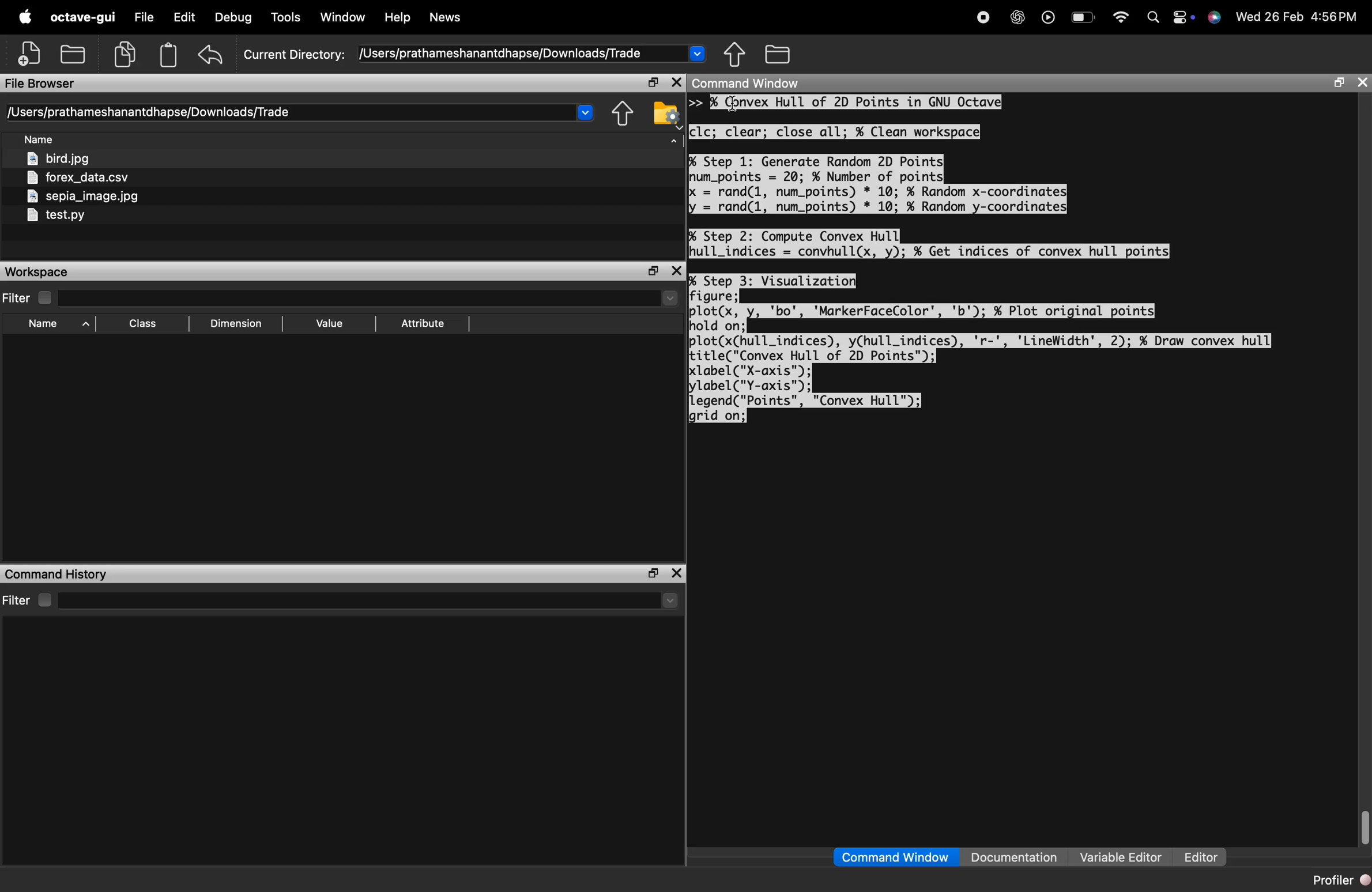 The image size is (1372, 892). I want to click on [Users/prathameshanantdhapse/Downloads/Trade, so click(147, 112).